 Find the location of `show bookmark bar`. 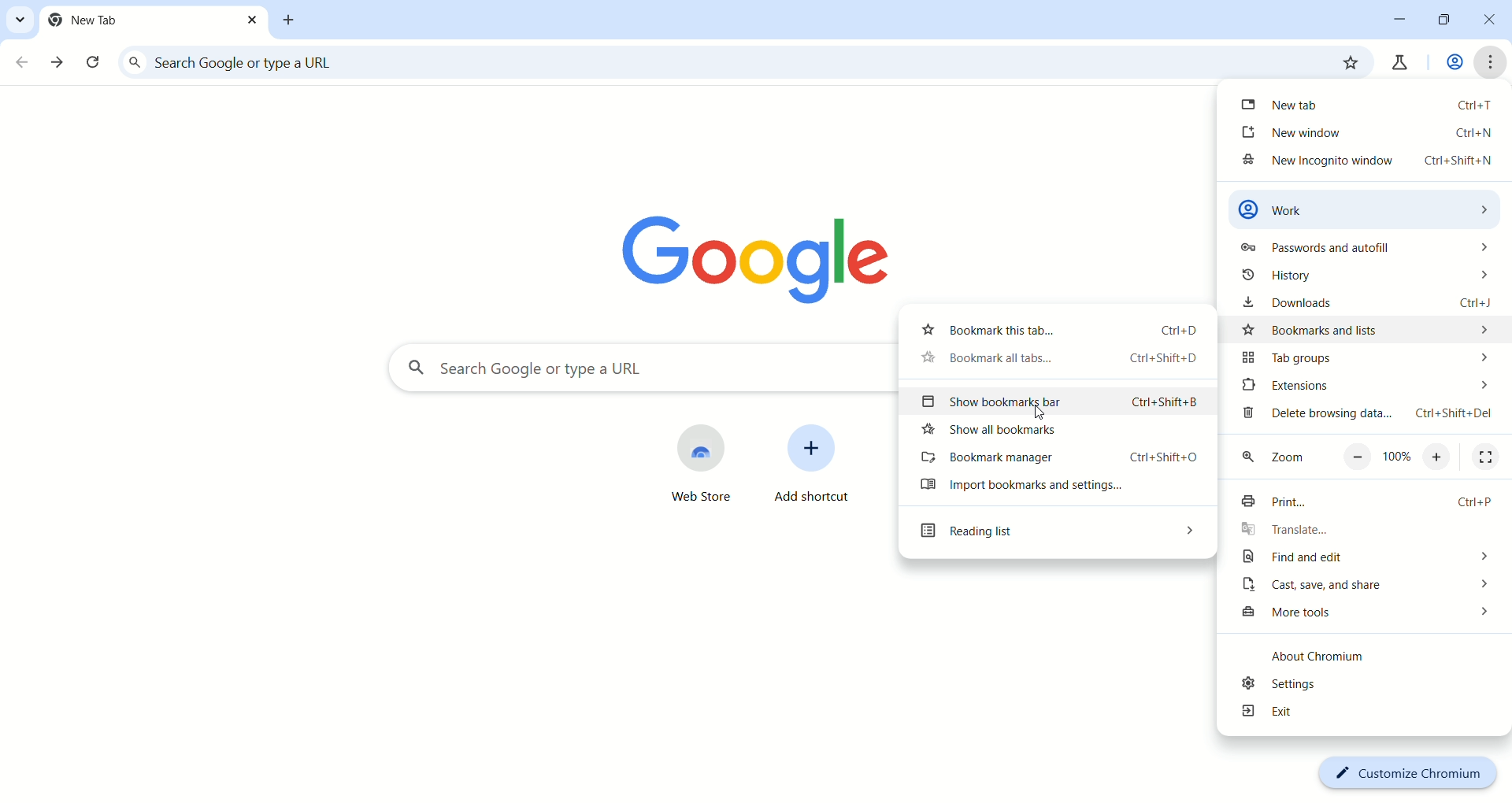

show bookmark bar is located at coordinates (1061, 403).